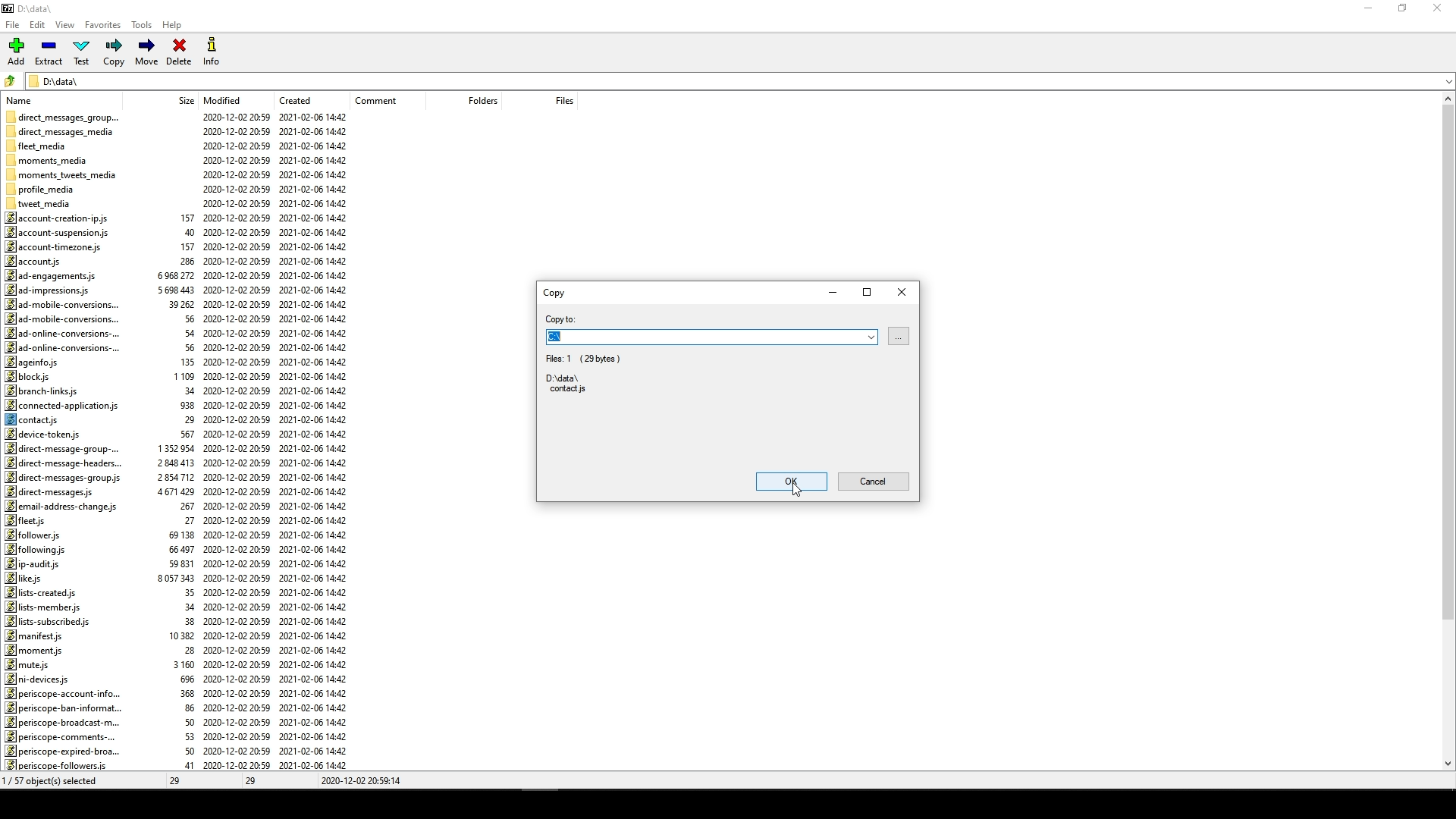 The height and width of the screenshot is (819, 1456). I want to click on Close, so click(902, 291).